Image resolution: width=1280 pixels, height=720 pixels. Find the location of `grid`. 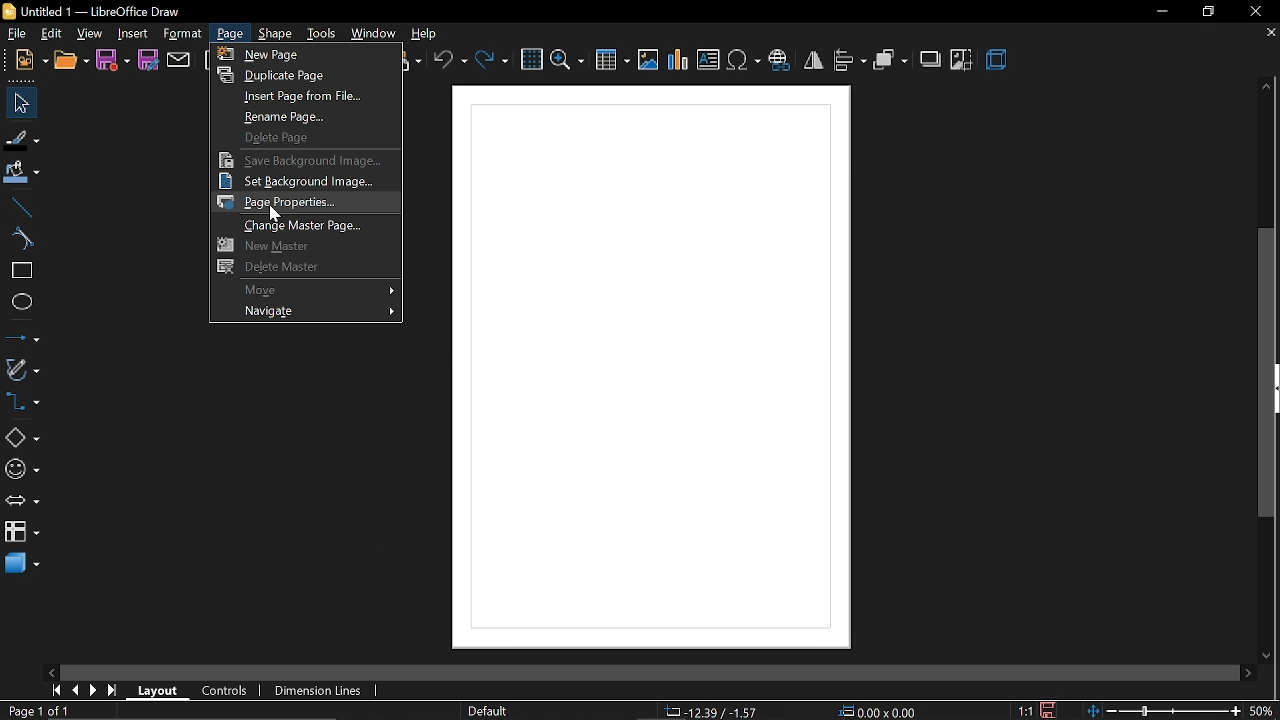

grid is located at coordinates (530, 60).